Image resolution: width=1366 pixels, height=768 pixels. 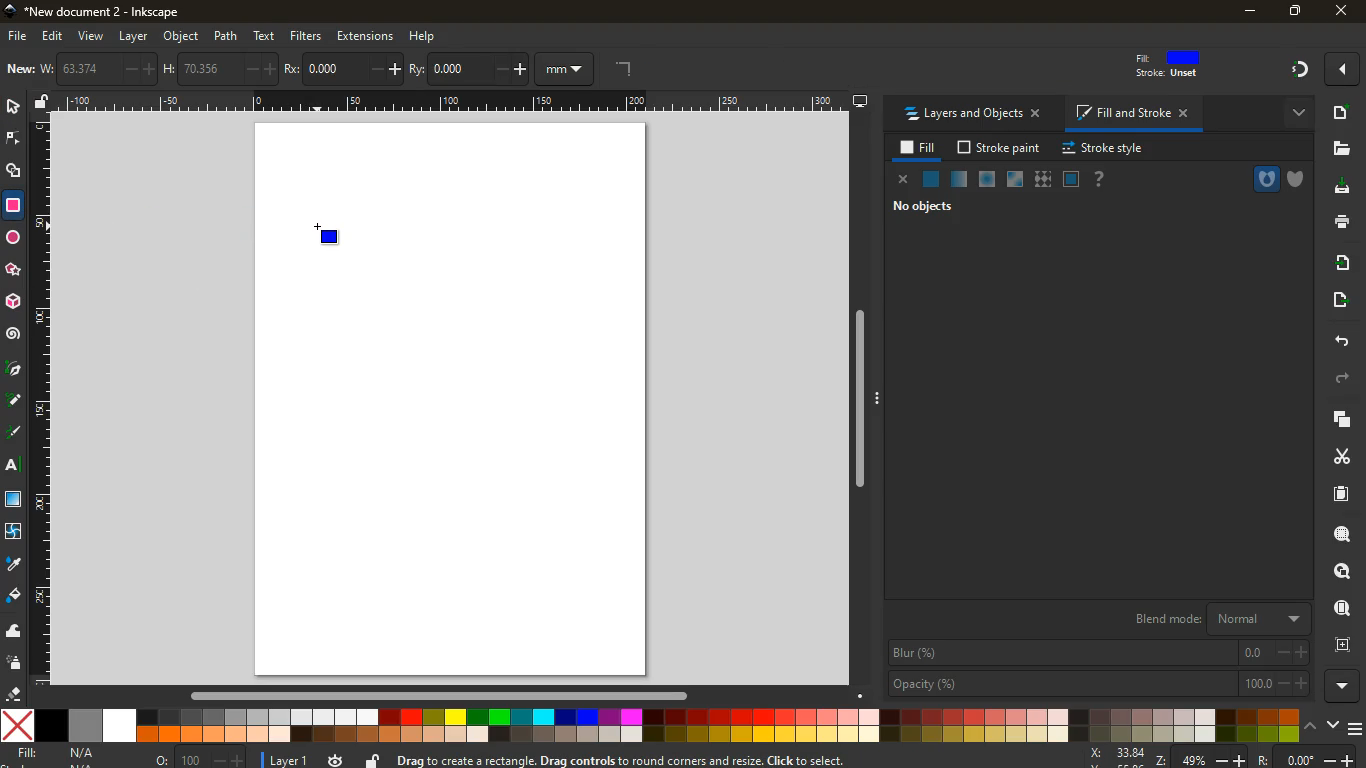 What do you see at coordinates (201, 758) in the screenshot?
I see `o` at bounding box center [201, 758].